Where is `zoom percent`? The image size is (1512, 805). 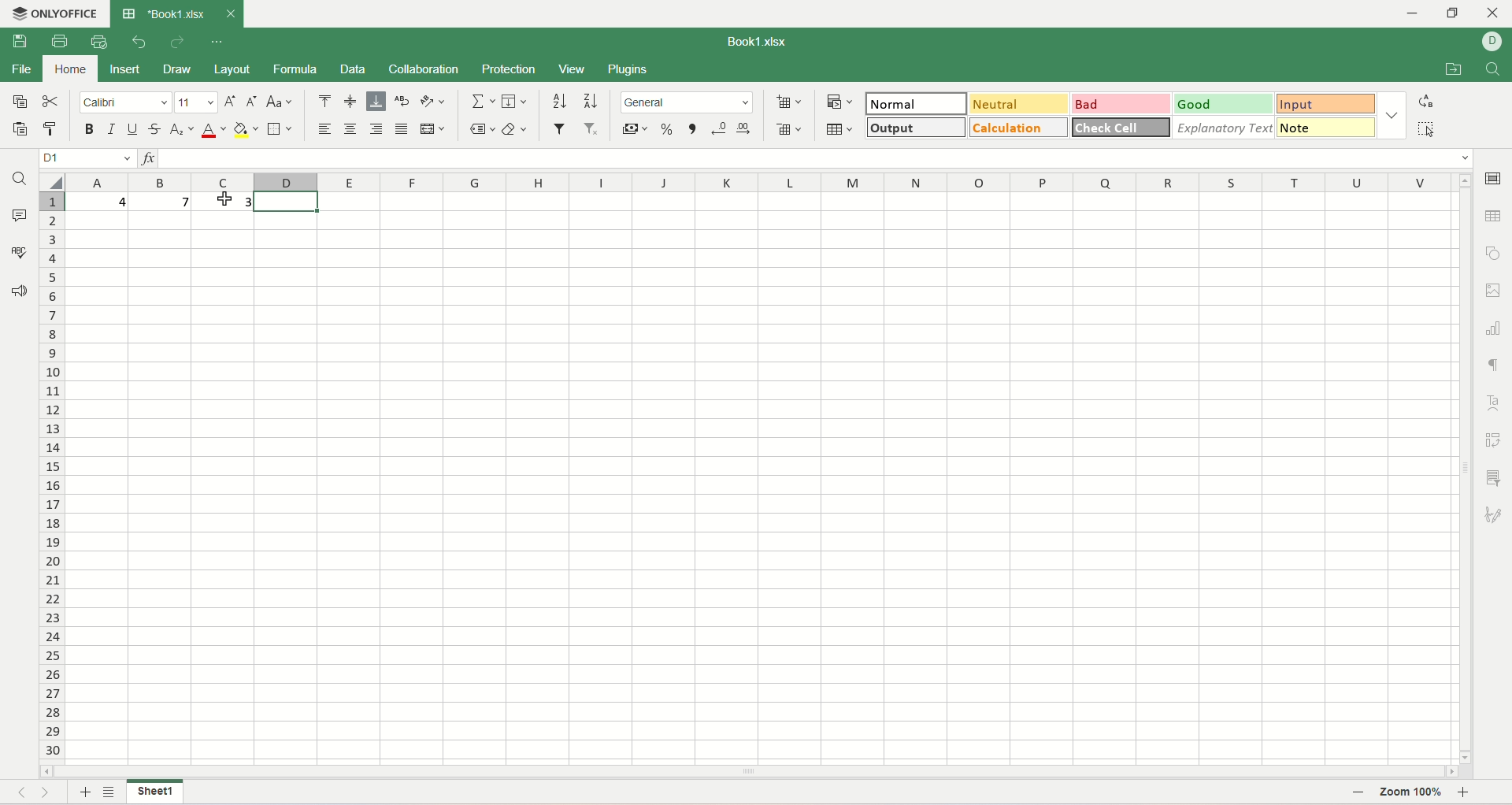
zoom percent is located at coordinates (1412, 795).